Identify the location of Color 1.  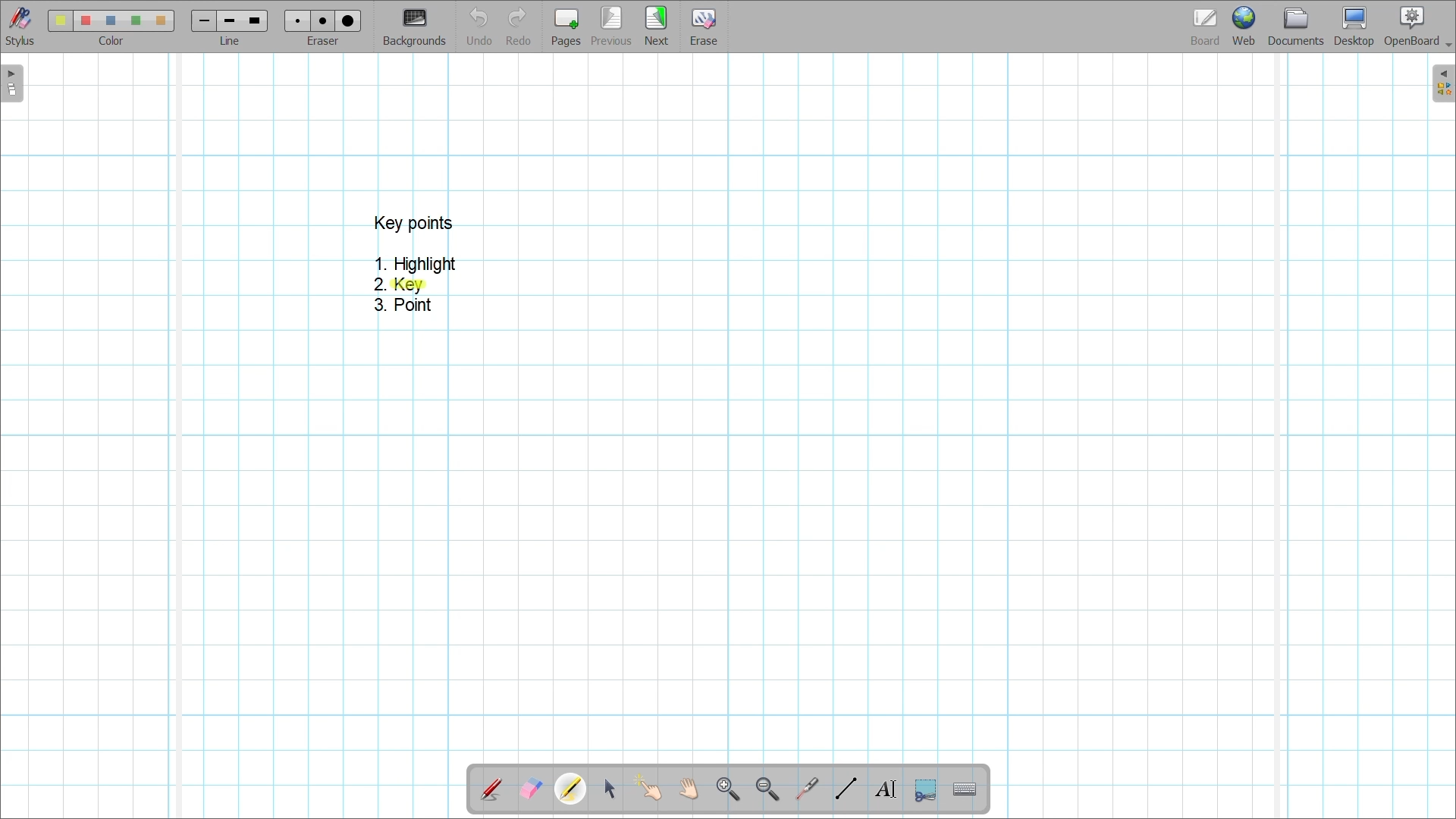
(60, 20).